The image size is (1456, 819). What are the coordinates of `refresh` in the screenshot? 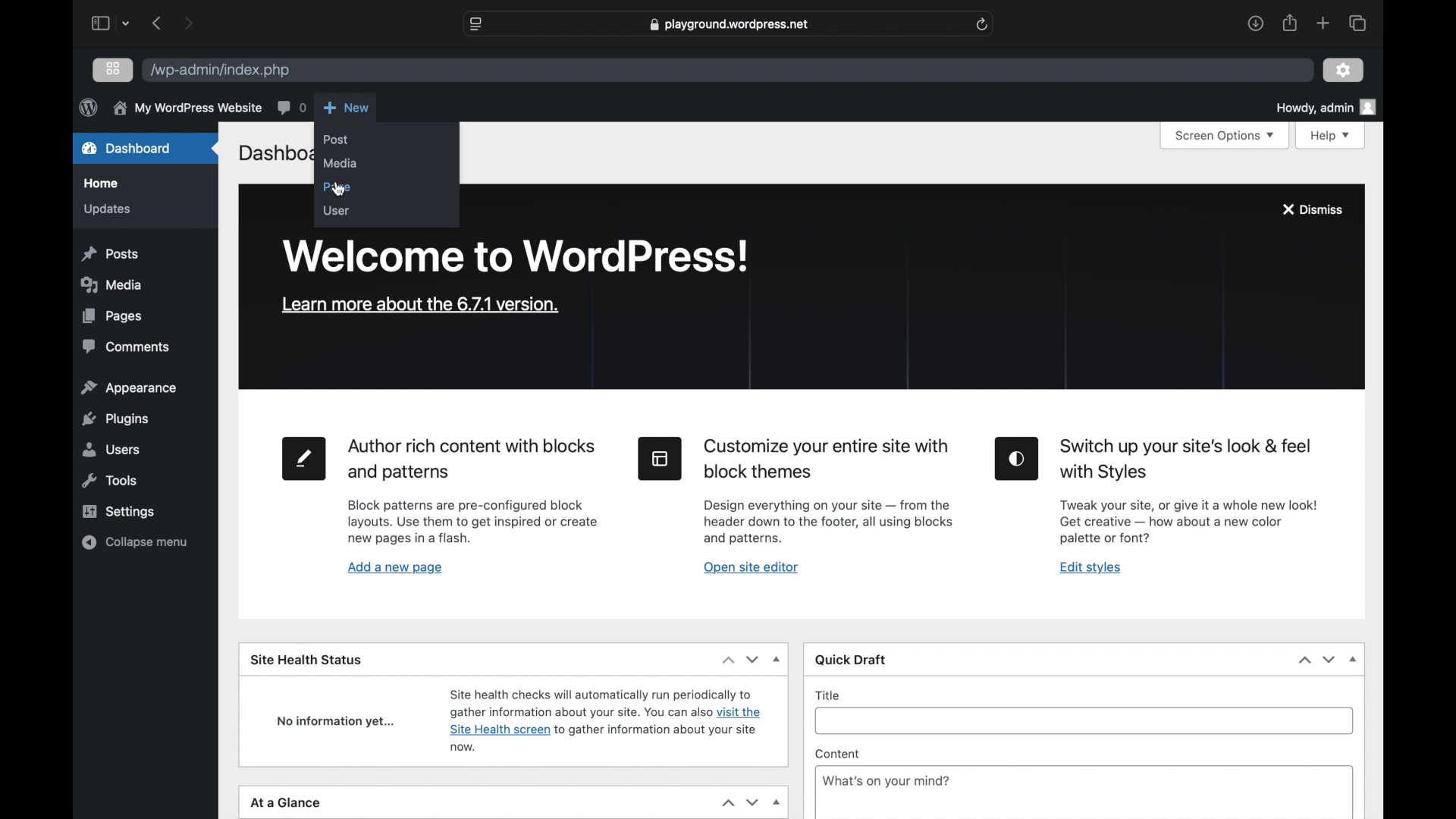 It's located at (982, 24).